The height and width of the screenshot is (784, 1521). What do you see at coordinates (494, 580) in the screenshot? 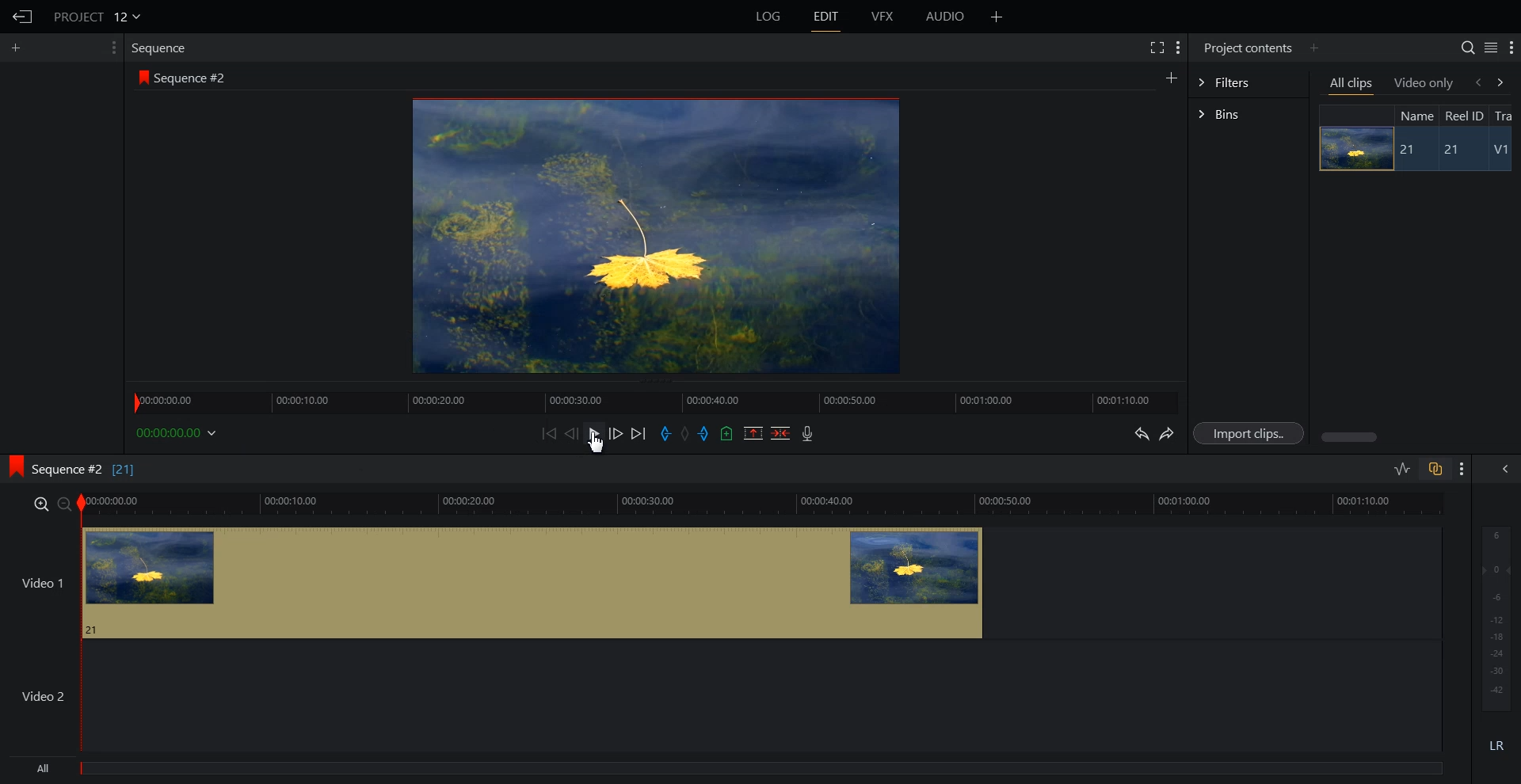
I see `video 1` at bounding box center [494, 580].